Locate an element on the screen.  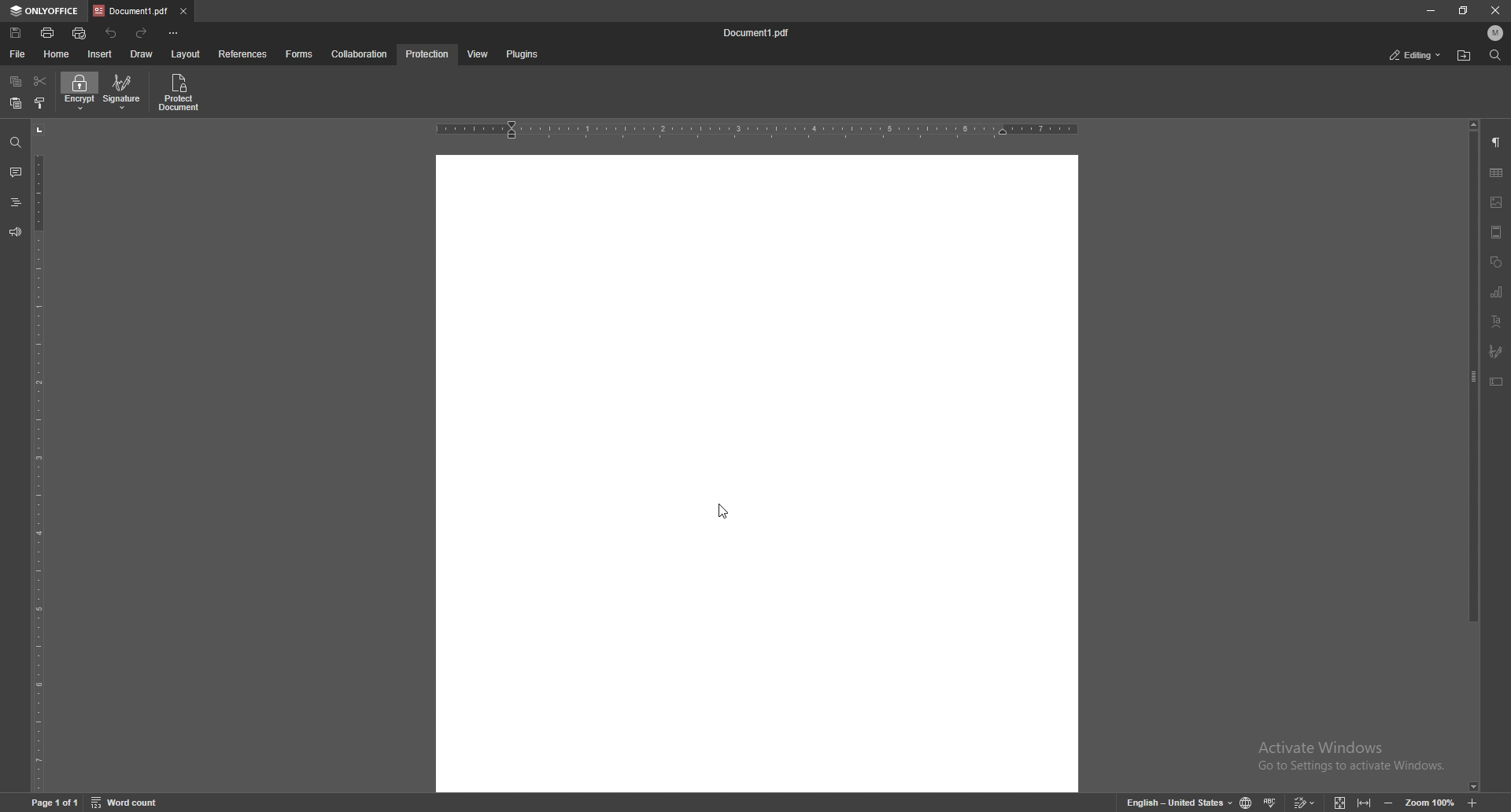
locate file is located at coordinates (1465, 55).